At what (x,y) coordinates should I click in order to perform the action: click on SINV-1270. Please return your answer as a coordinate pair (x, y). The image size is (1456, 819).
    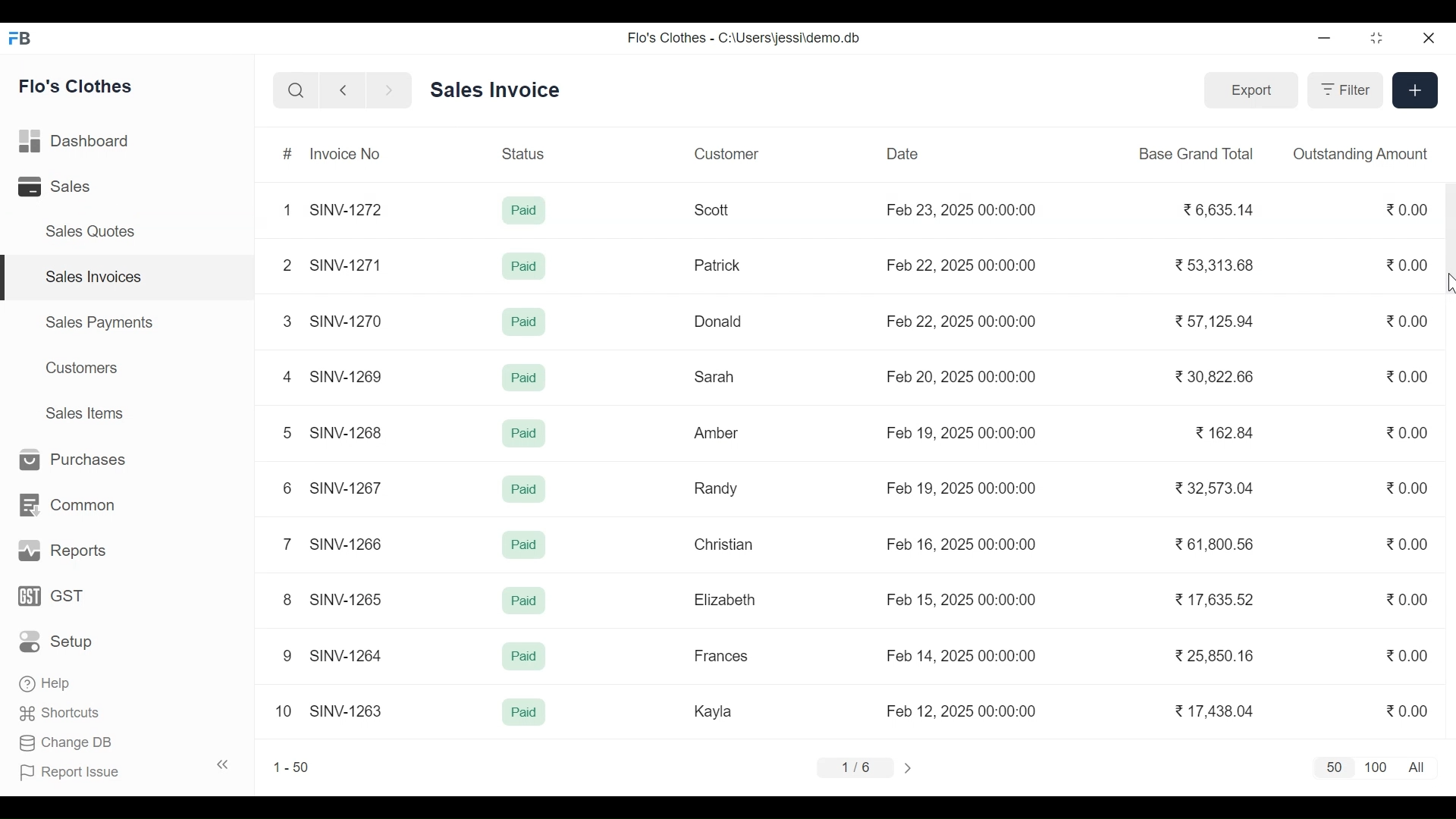
    Looking at the image, I should click on (349, 321).